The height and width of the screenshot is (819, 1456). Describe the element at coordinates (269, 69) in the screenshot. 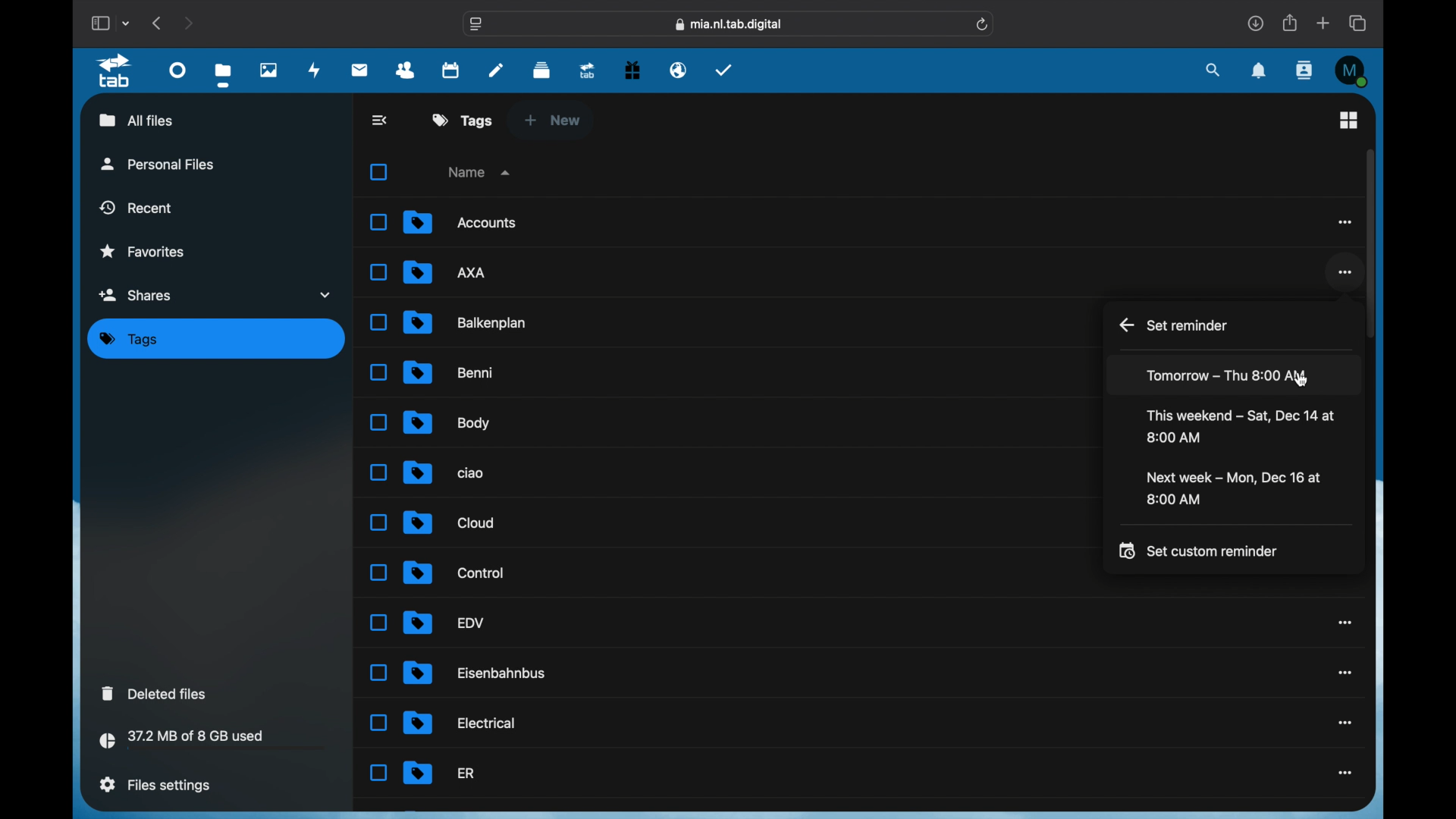

I see `photos` at that location.